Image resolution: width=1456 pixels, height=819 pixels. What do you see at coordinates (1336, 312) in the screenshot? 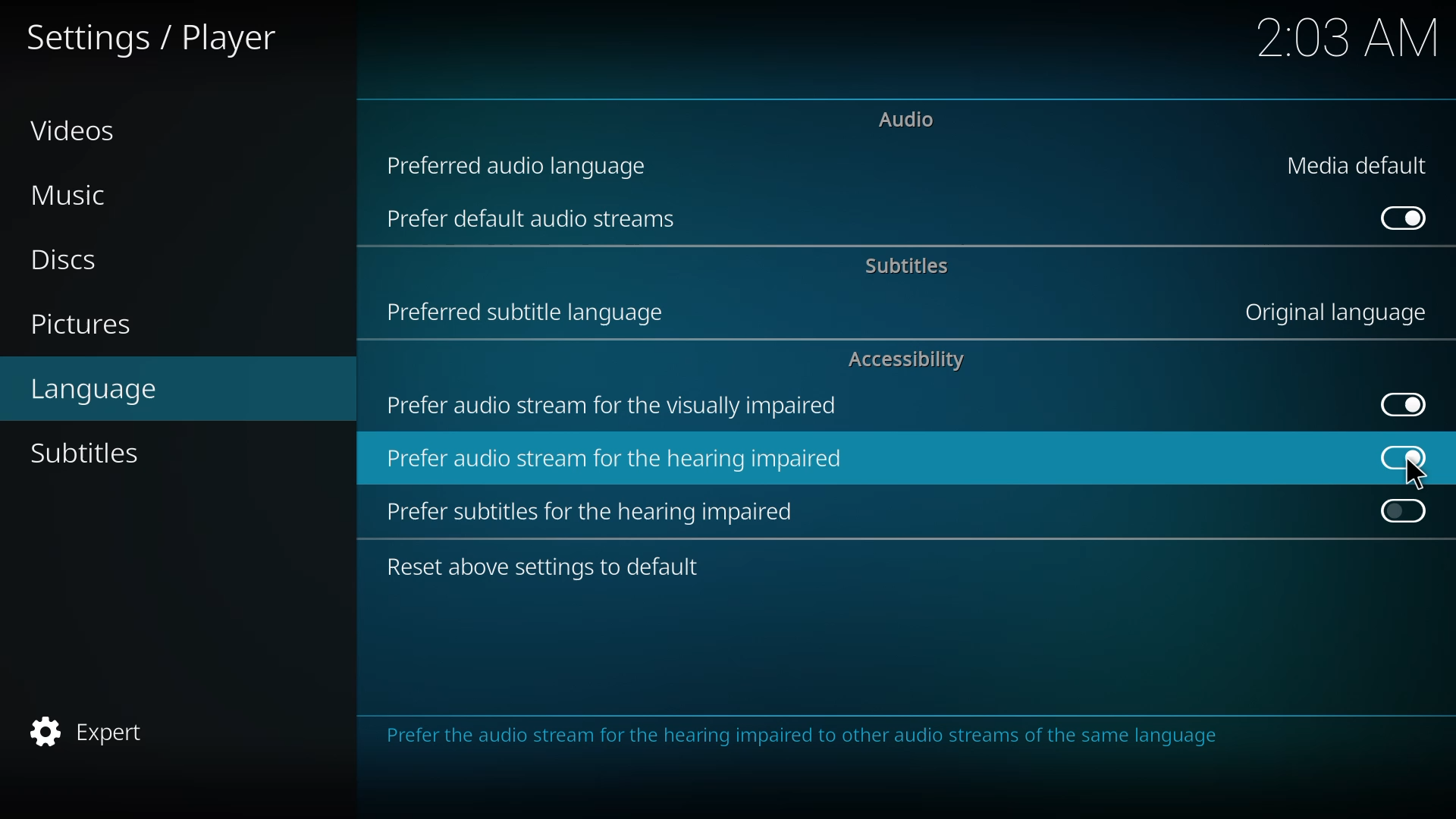
I see `original language` at bounding box center [1336, 312].